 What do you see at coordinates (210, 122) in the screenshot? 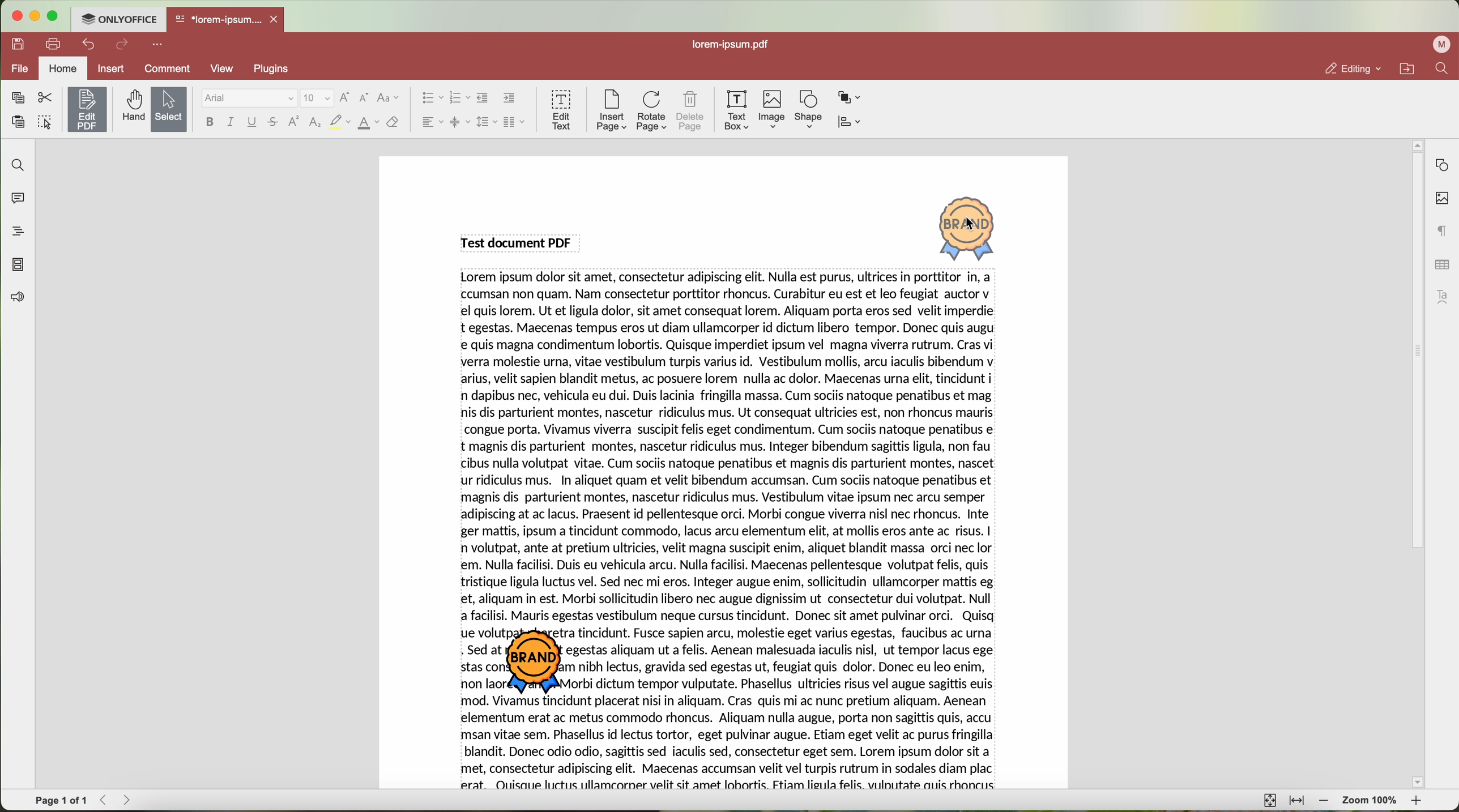
I see `bold` at bounding box center [210, 122].